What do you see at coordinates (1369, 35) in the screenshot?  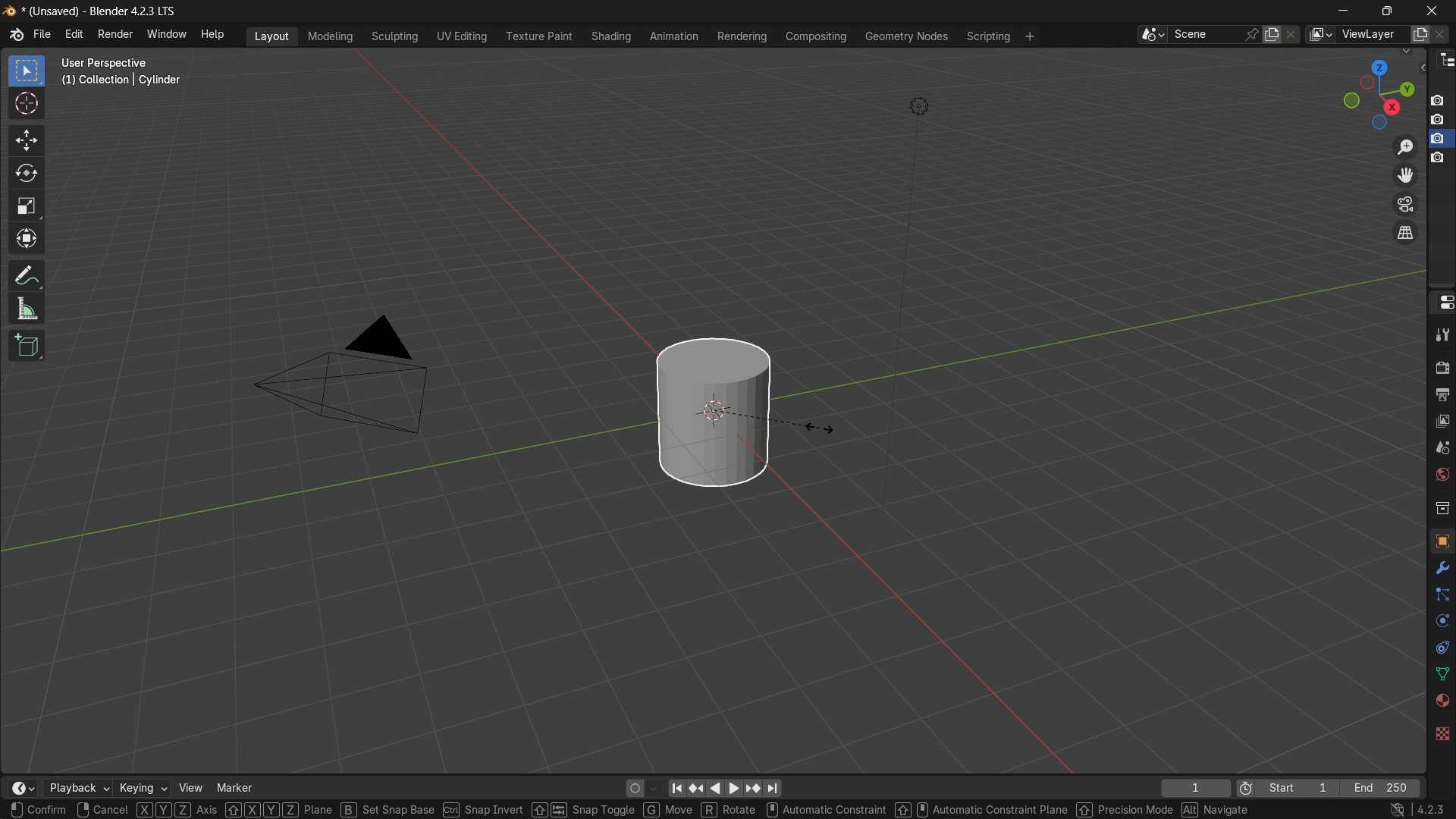 I see `viewLayer` at bounding box center [1369, 35].